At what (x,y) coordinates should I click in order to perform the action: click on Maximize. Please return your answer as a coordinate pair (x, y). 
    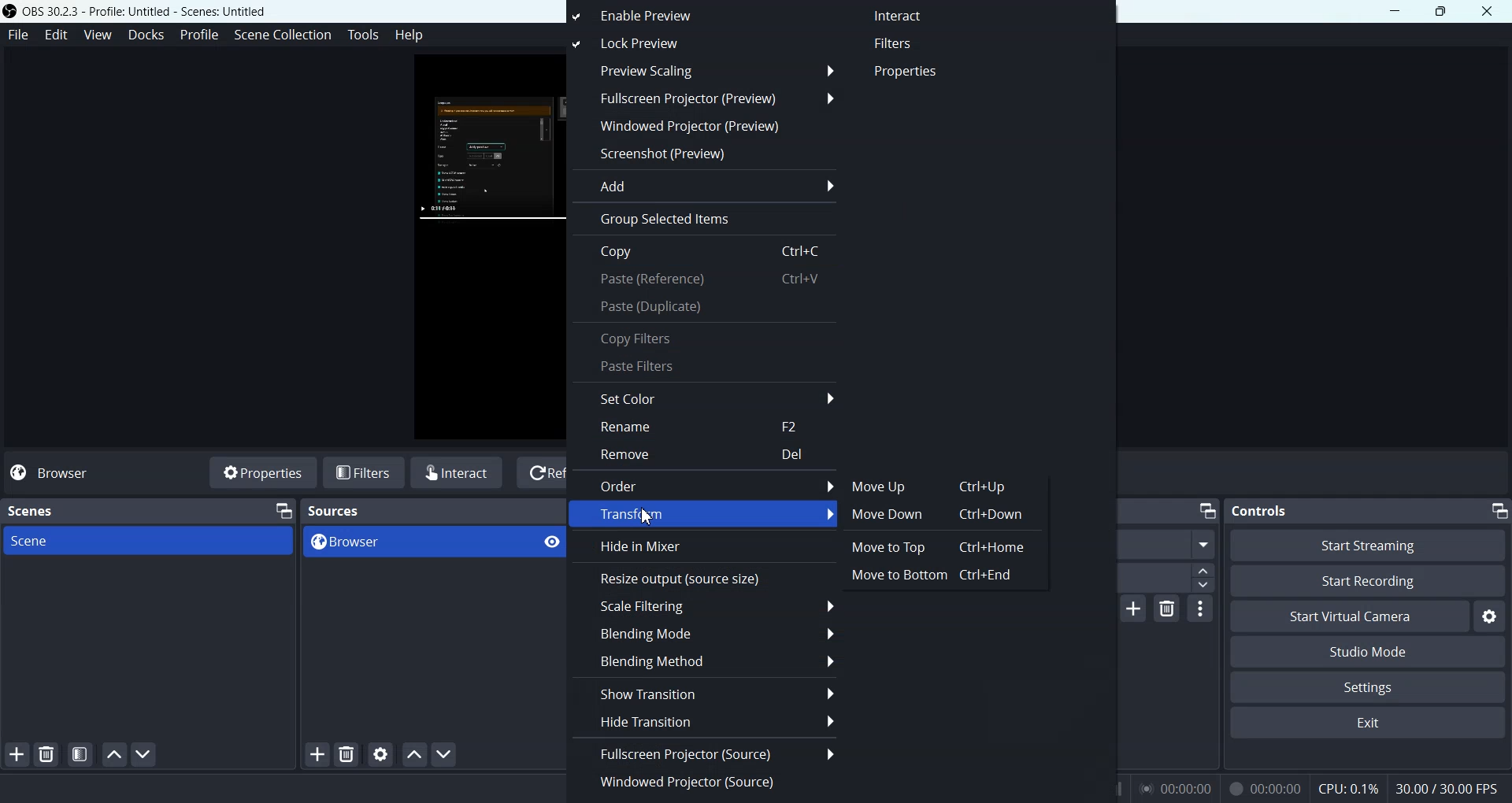
    Looking at the image, I should click on (1441, 12).